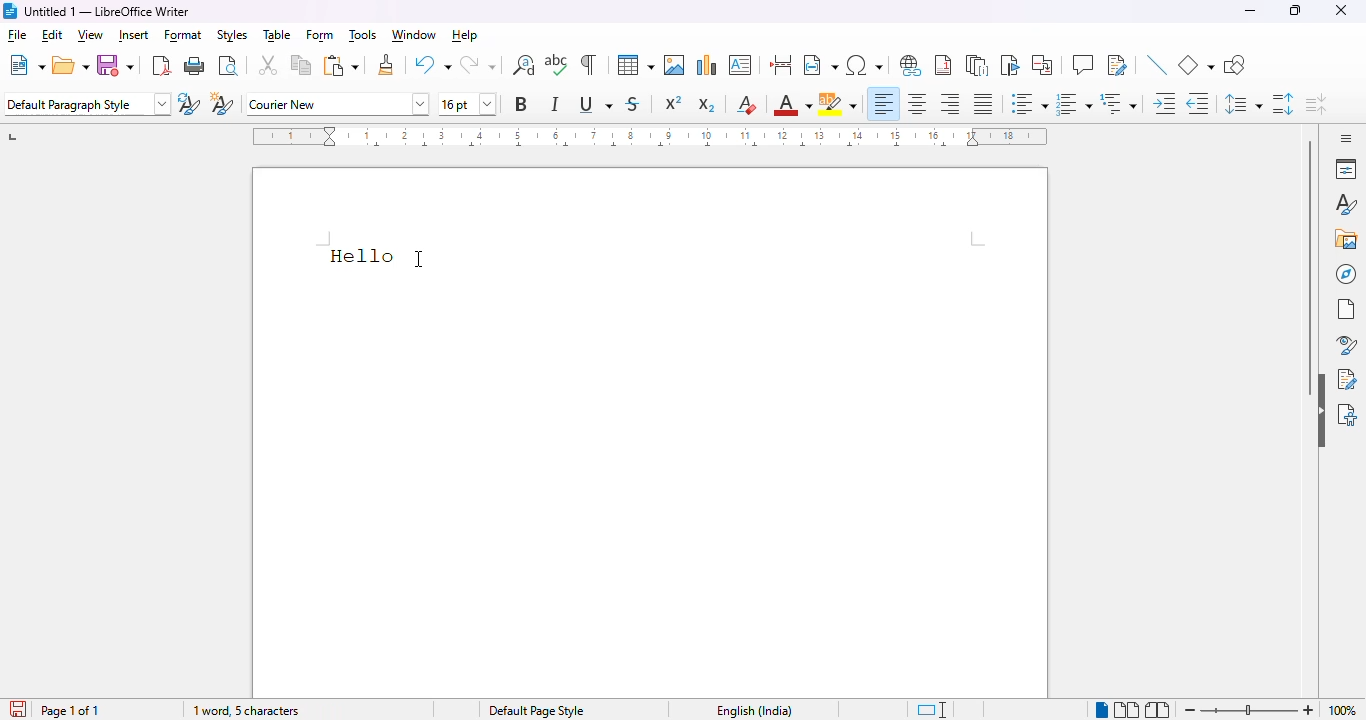 The width and height of the screenshot is (1366, 720). What do you see at coordinates (780, 64) in the screenshot?
I see `insert page break` at bounding box center [780, 64].